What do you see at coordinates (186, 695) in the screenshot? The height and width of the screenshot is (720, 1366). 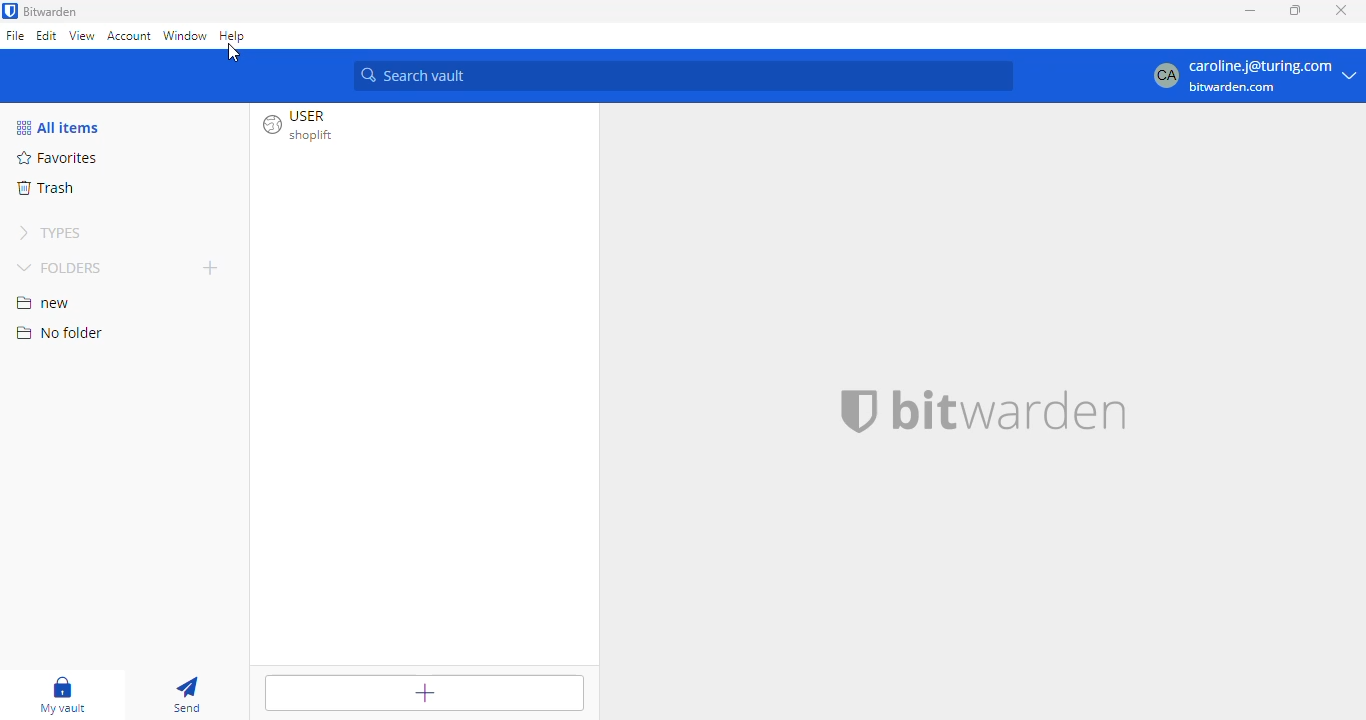 I see `send` at bounding box center [186, 695].